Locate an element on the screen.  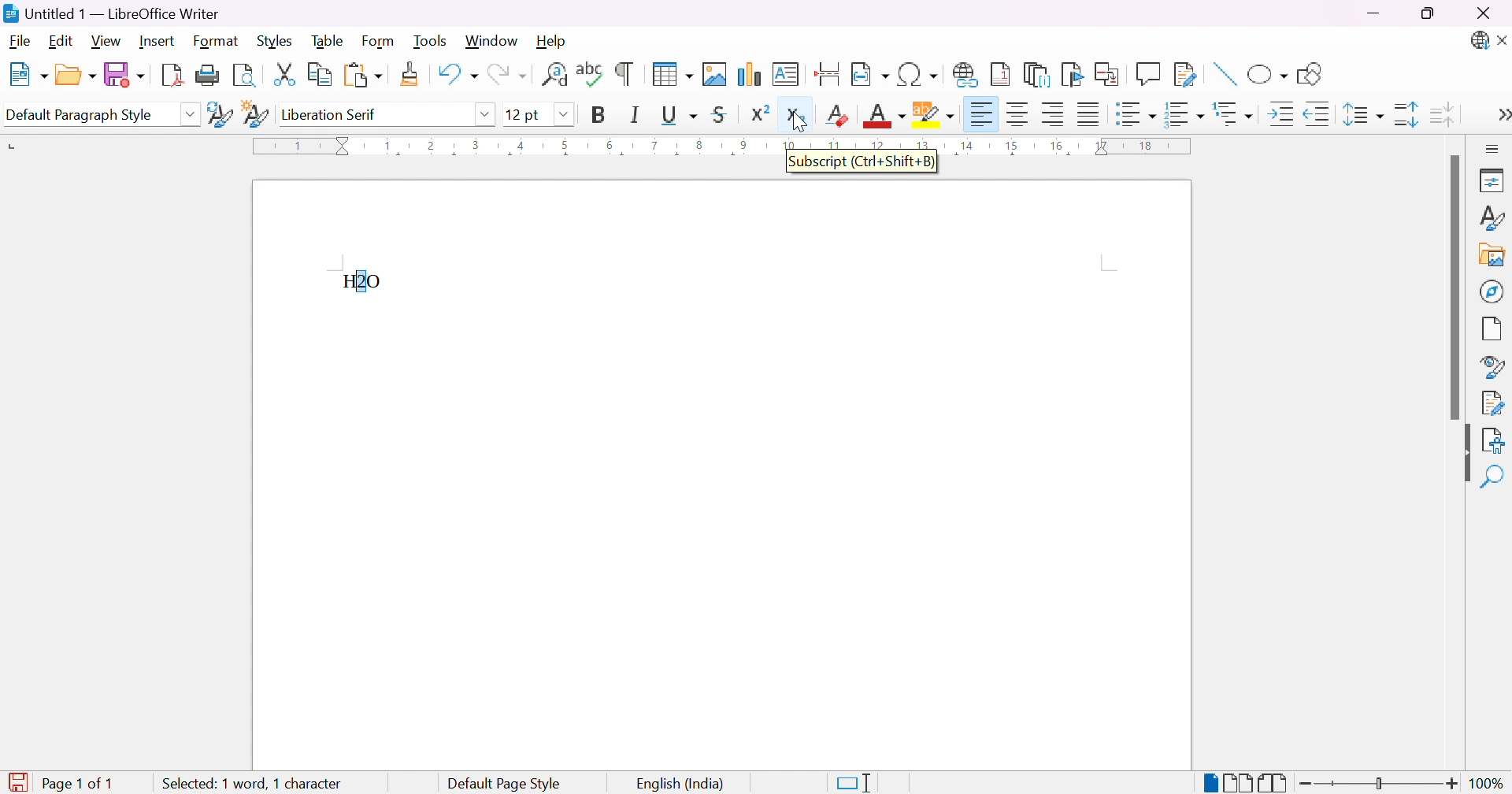
 is located at coordinates (556, 76).